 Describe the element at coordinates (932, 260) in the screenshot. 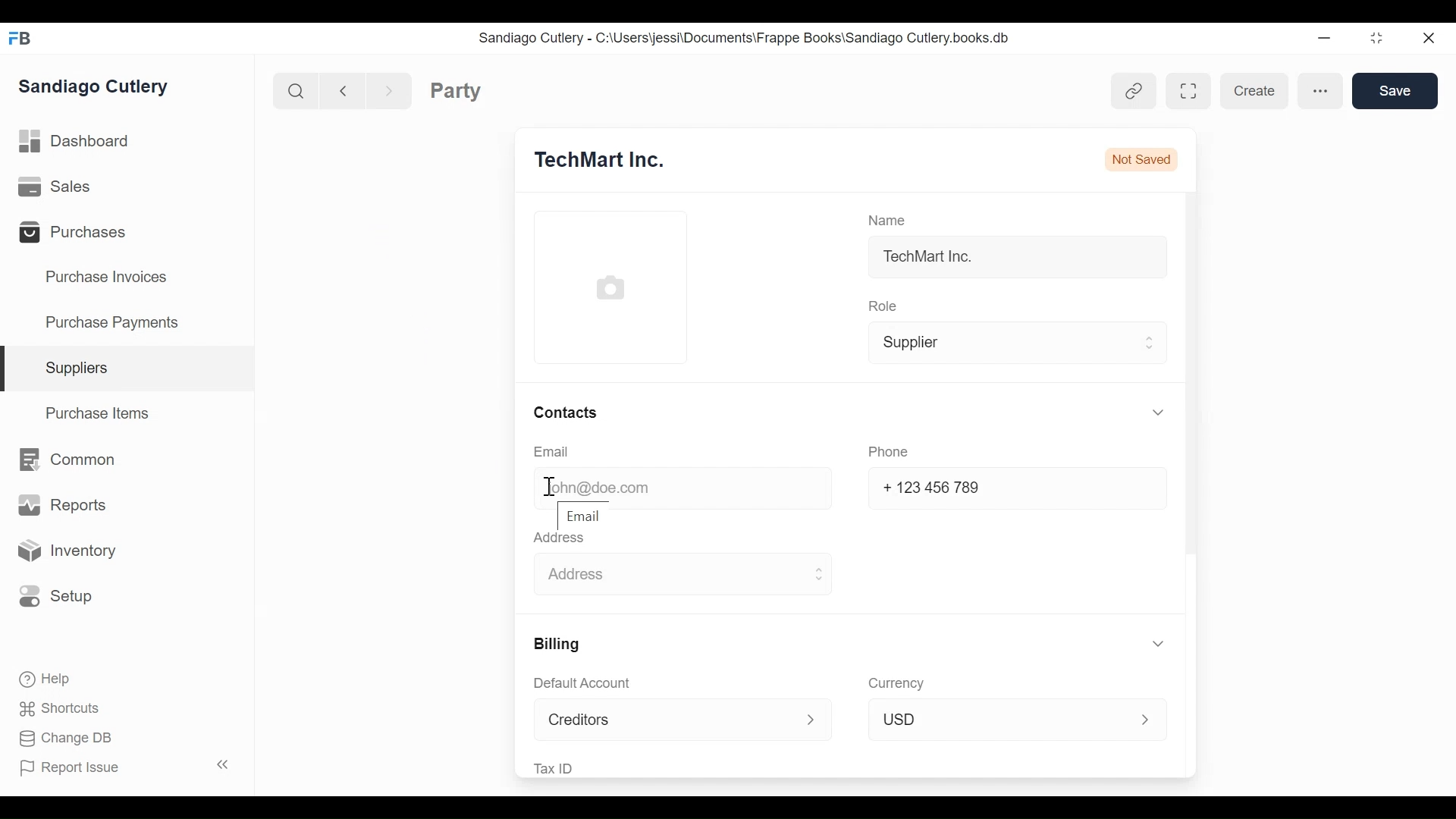

I see `TechMart Inc.` at that location.